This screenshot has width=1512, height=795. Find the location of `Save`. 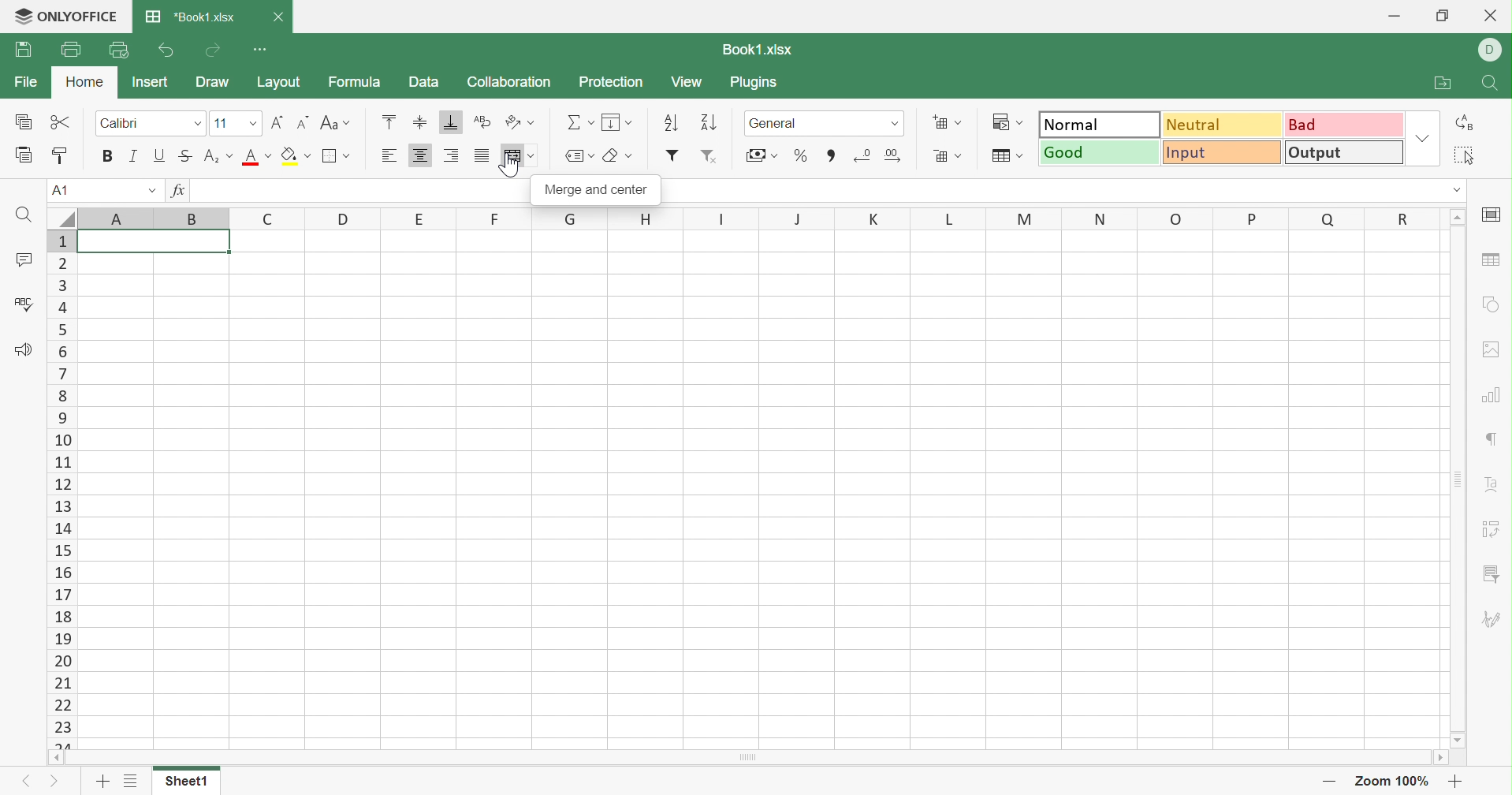

Save is located at coordinates (26, 52).